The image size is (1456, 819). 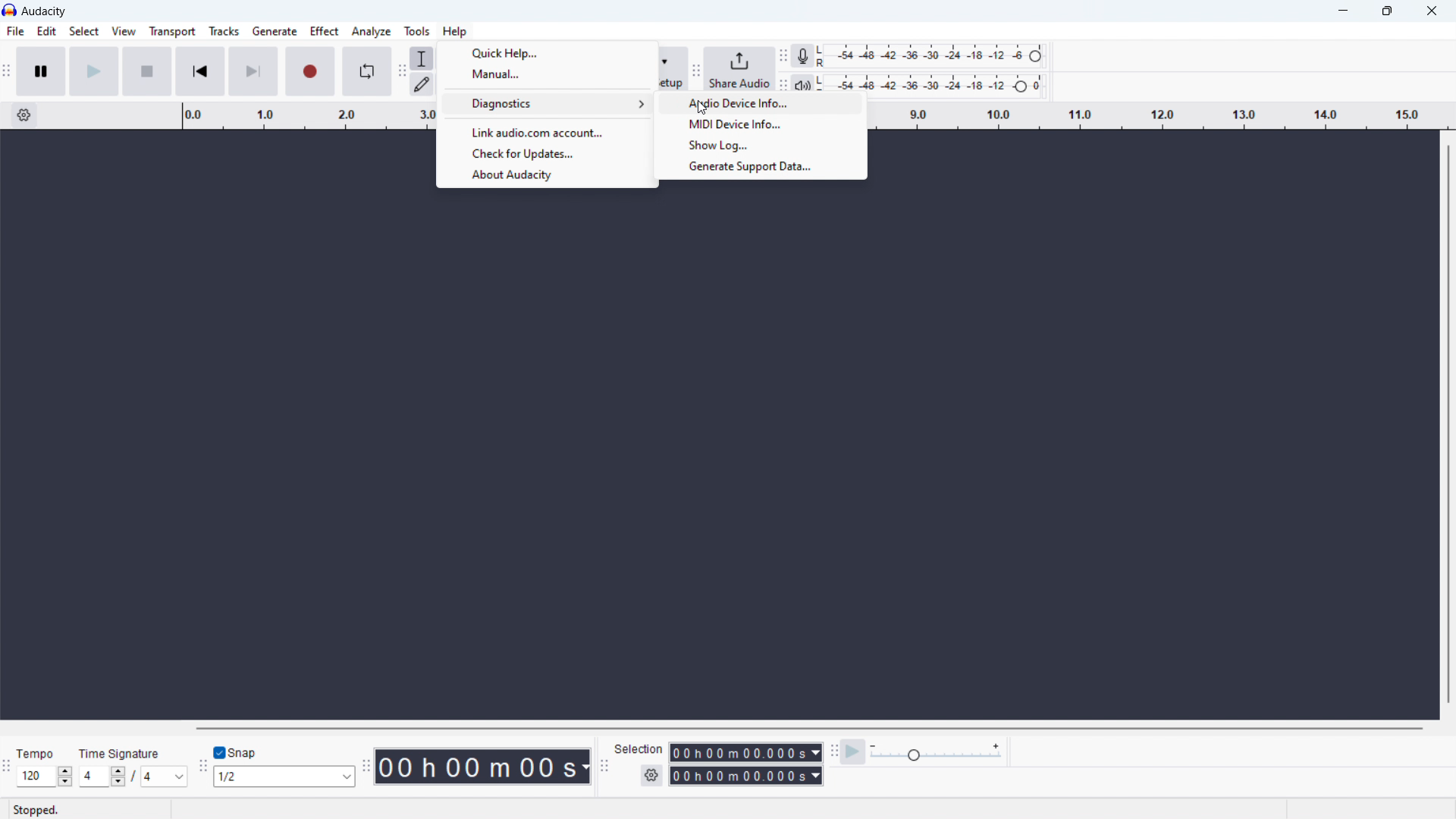 I want to click on timeline, so click(x=1163, y=117).